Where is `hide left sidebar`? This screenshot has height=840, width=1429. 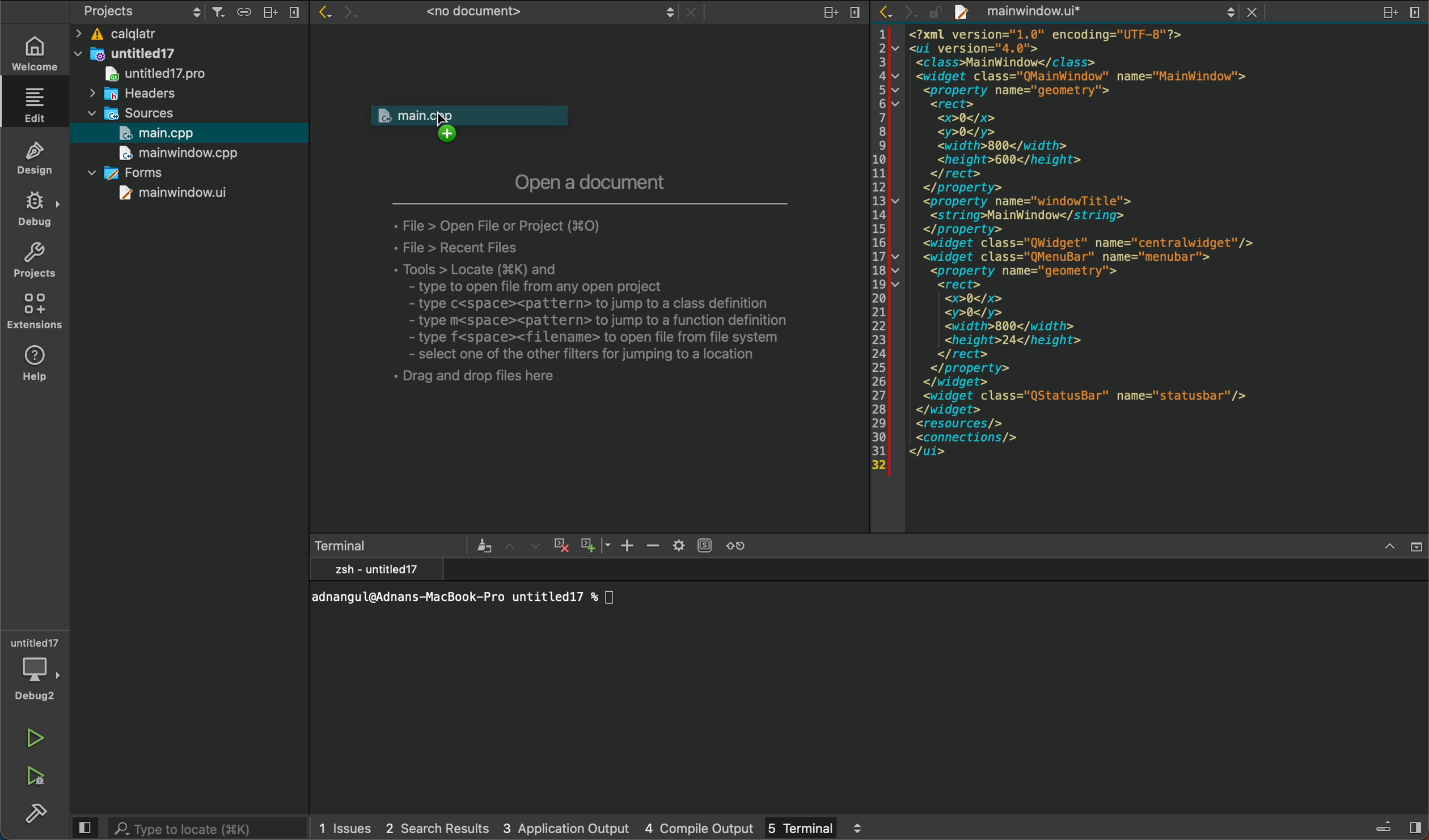
hide left sidebar is located at coordinates (84, 828).